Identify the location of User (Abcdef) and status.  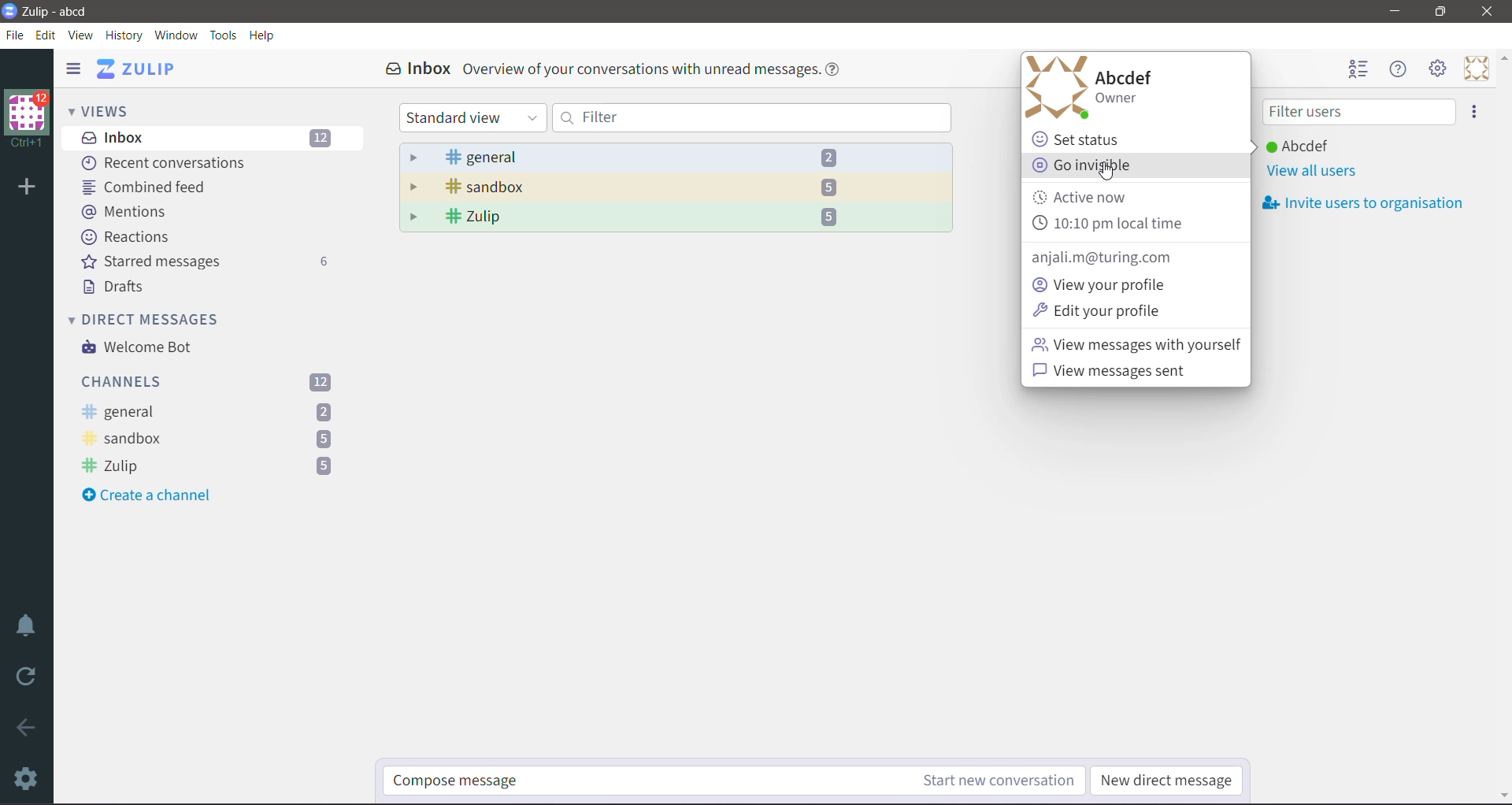
(1354, 143).